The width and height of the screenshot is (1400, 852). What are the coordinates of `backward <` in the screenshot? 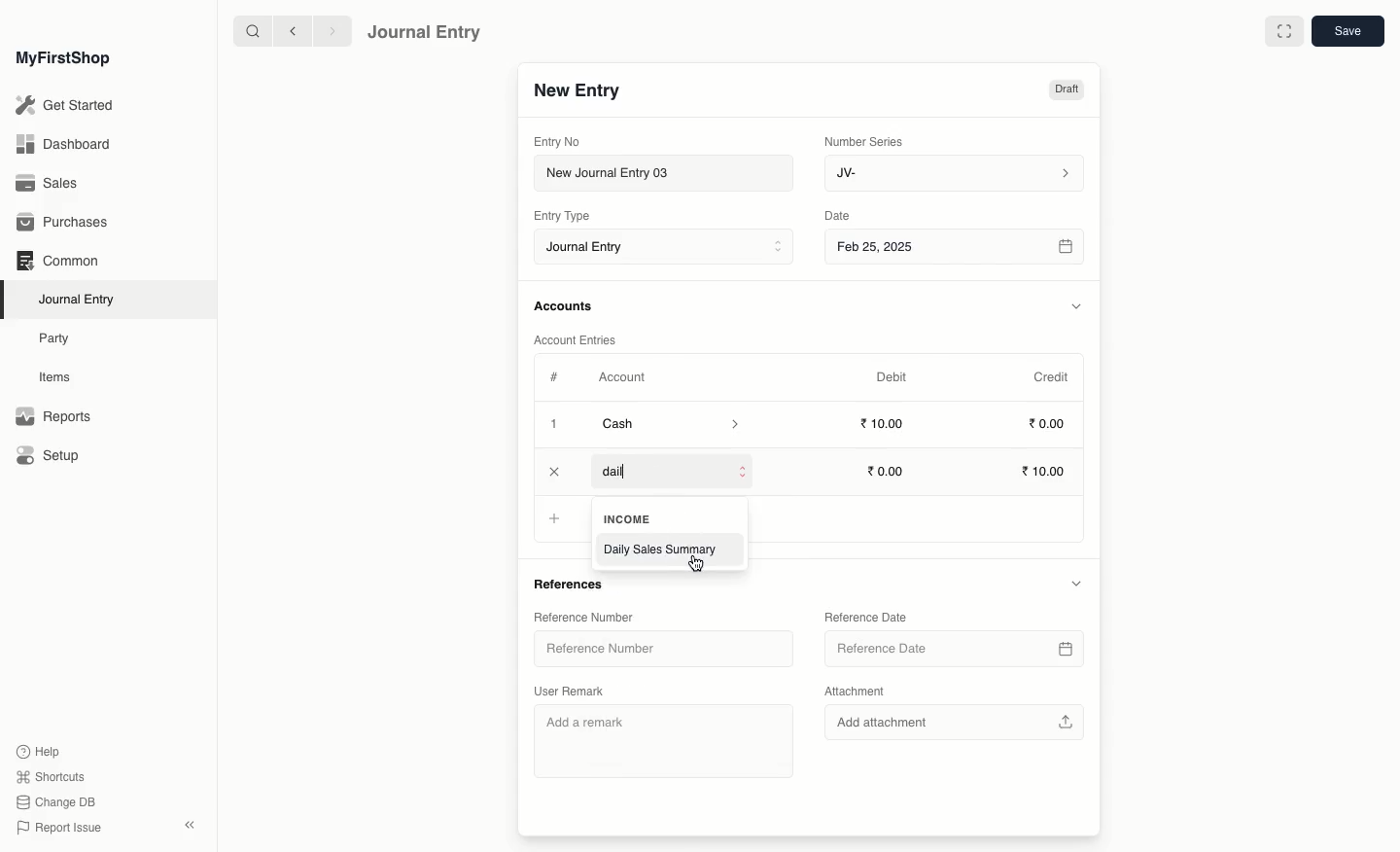 It's located at (288, 31).